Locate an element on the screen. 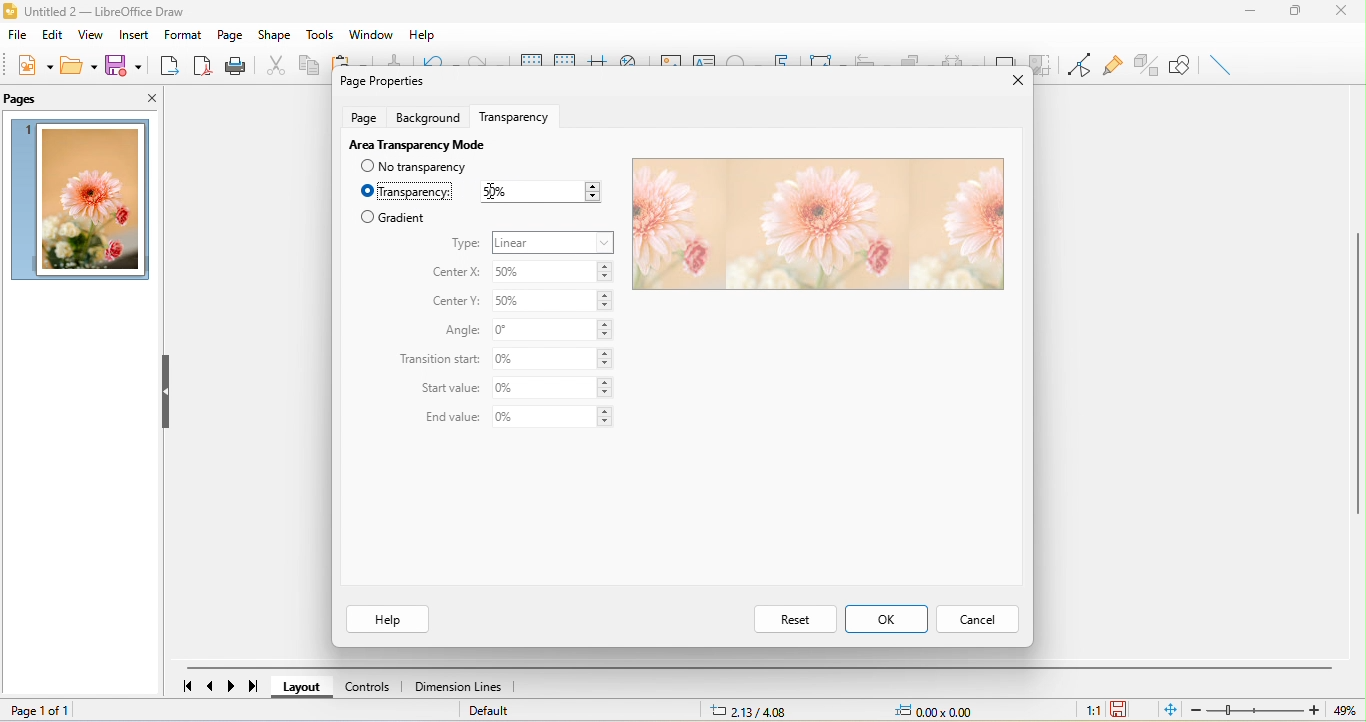 The width and height of the screenshot is (1366, 722). image is located at coordinates (82, 200).